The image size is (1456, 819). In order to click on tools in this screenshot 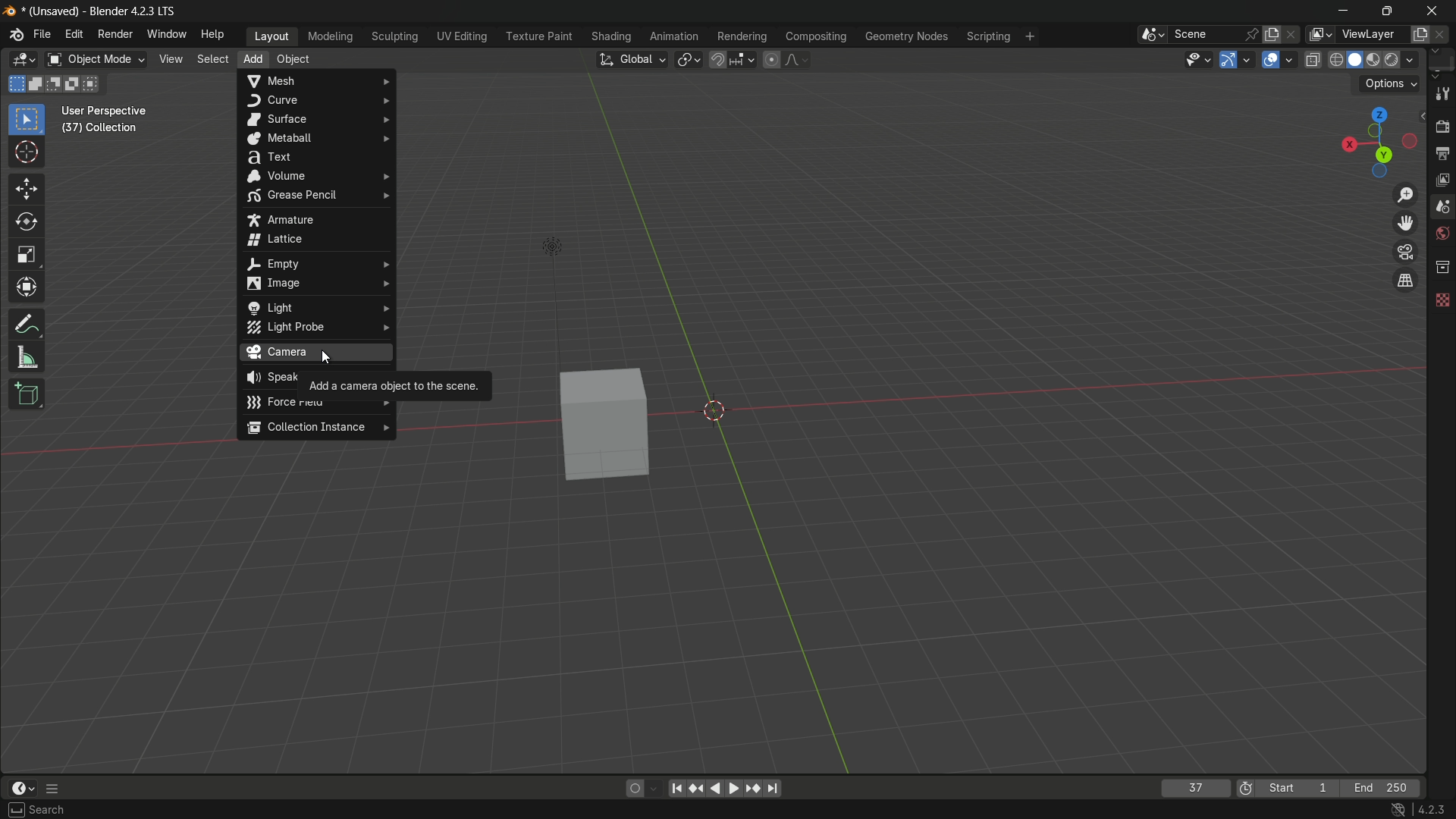, I will do `click(1442, 93)`.